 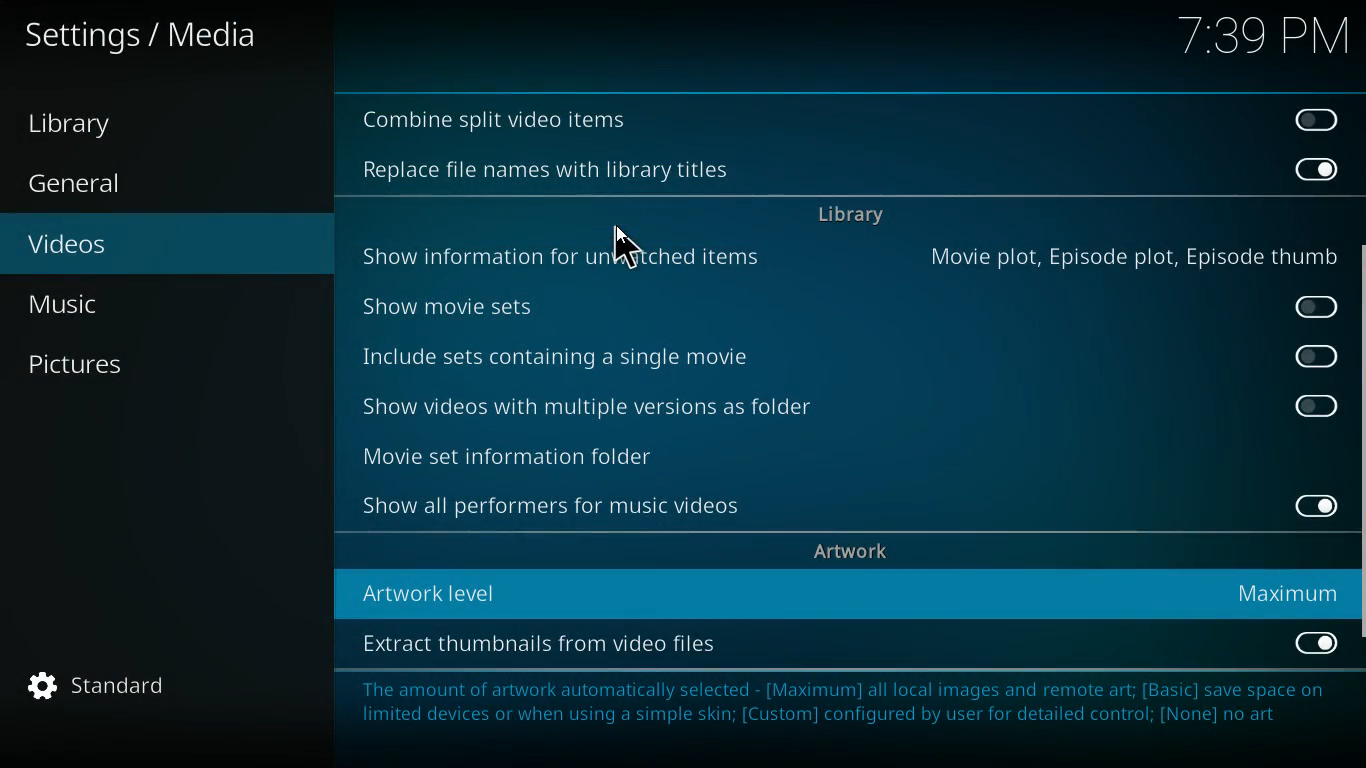 I want to click on on, so click(x=1317, y=643).